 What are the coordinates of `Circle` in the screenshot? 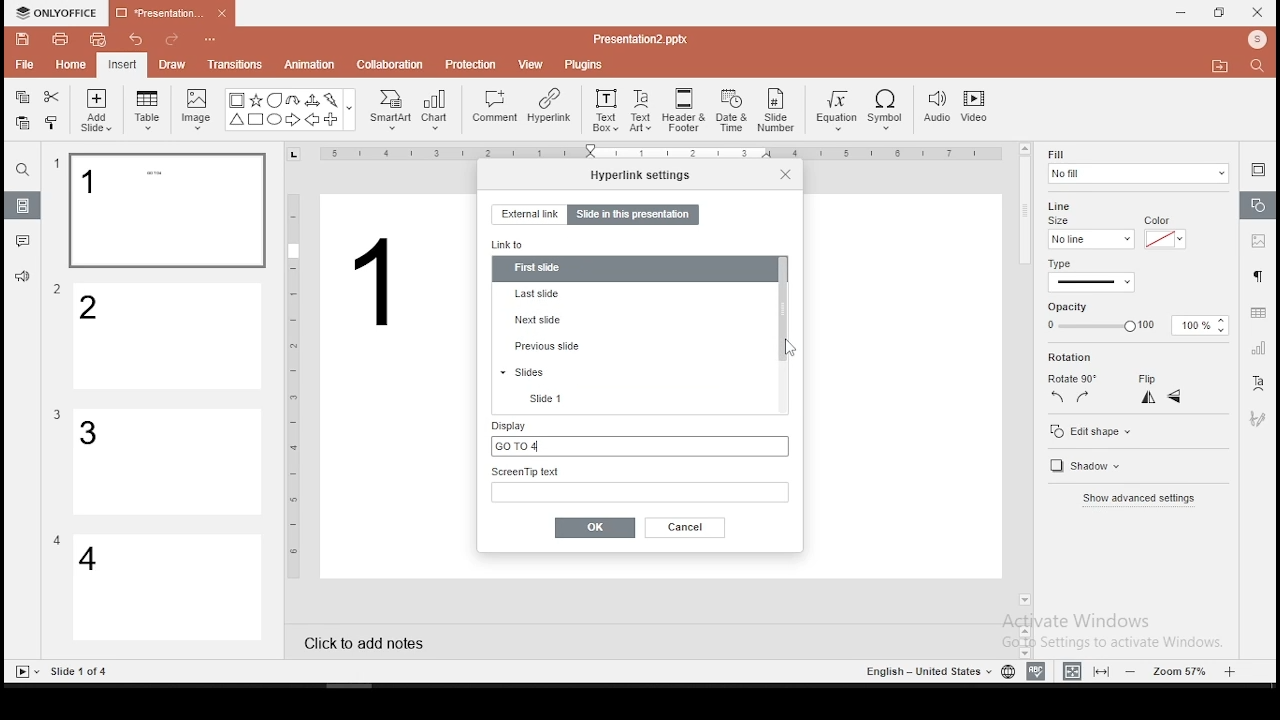 It's located at (276, 119).